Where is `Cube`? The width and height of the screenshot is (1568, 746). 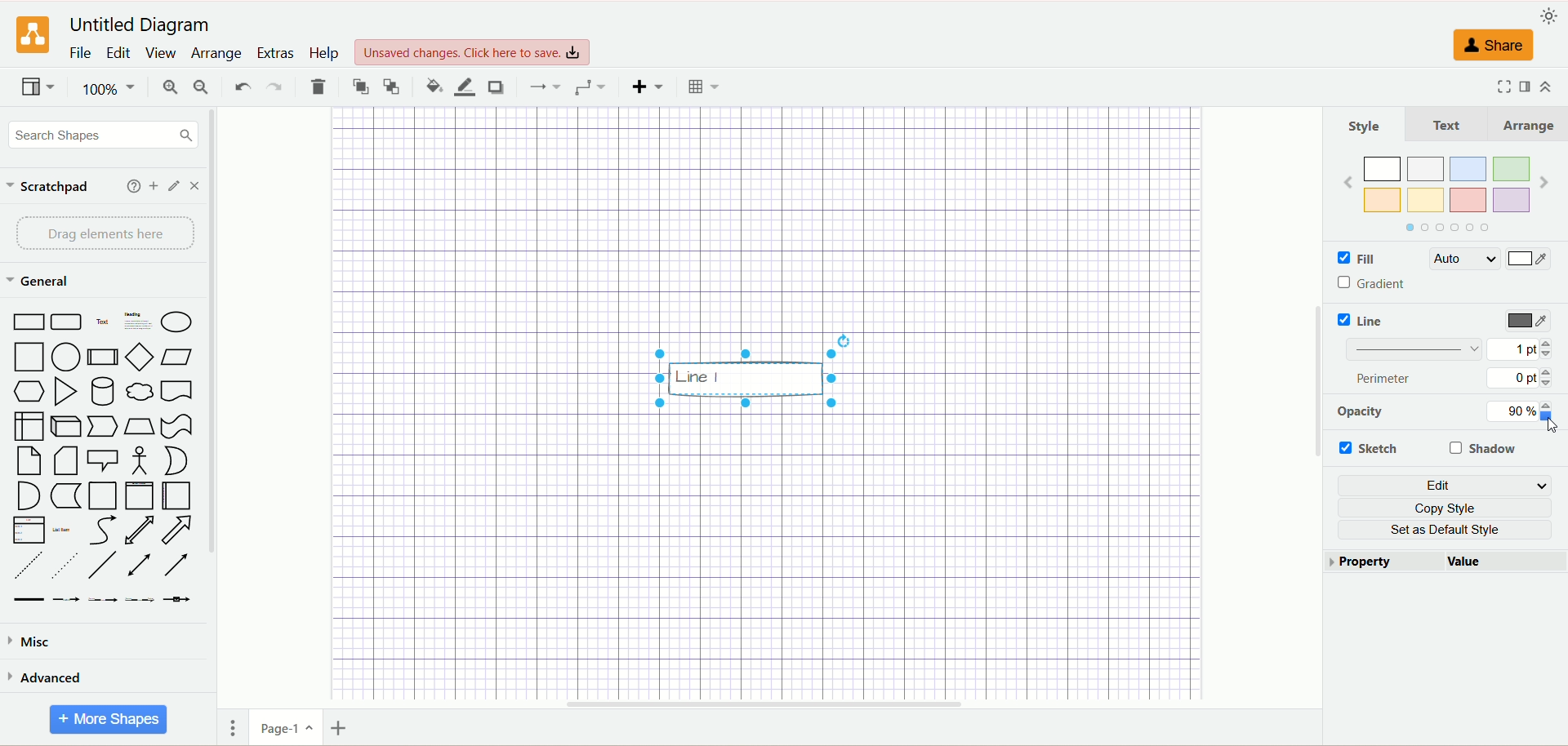 Cube is located at coordinates (68, 427).